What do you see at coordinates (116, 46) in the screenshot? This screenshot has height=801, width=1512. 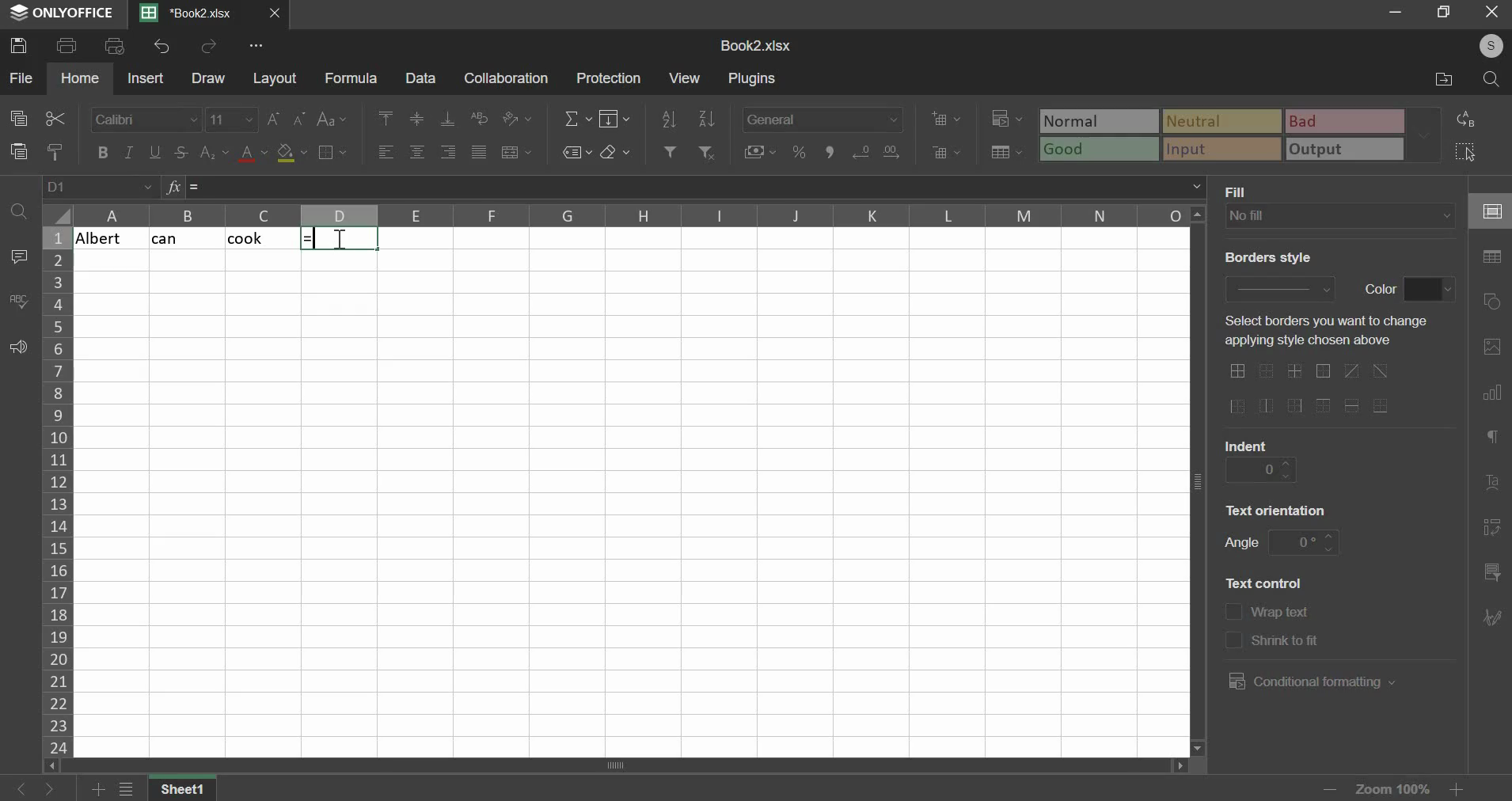 I see `print preview` at bounding box center [116, 46].